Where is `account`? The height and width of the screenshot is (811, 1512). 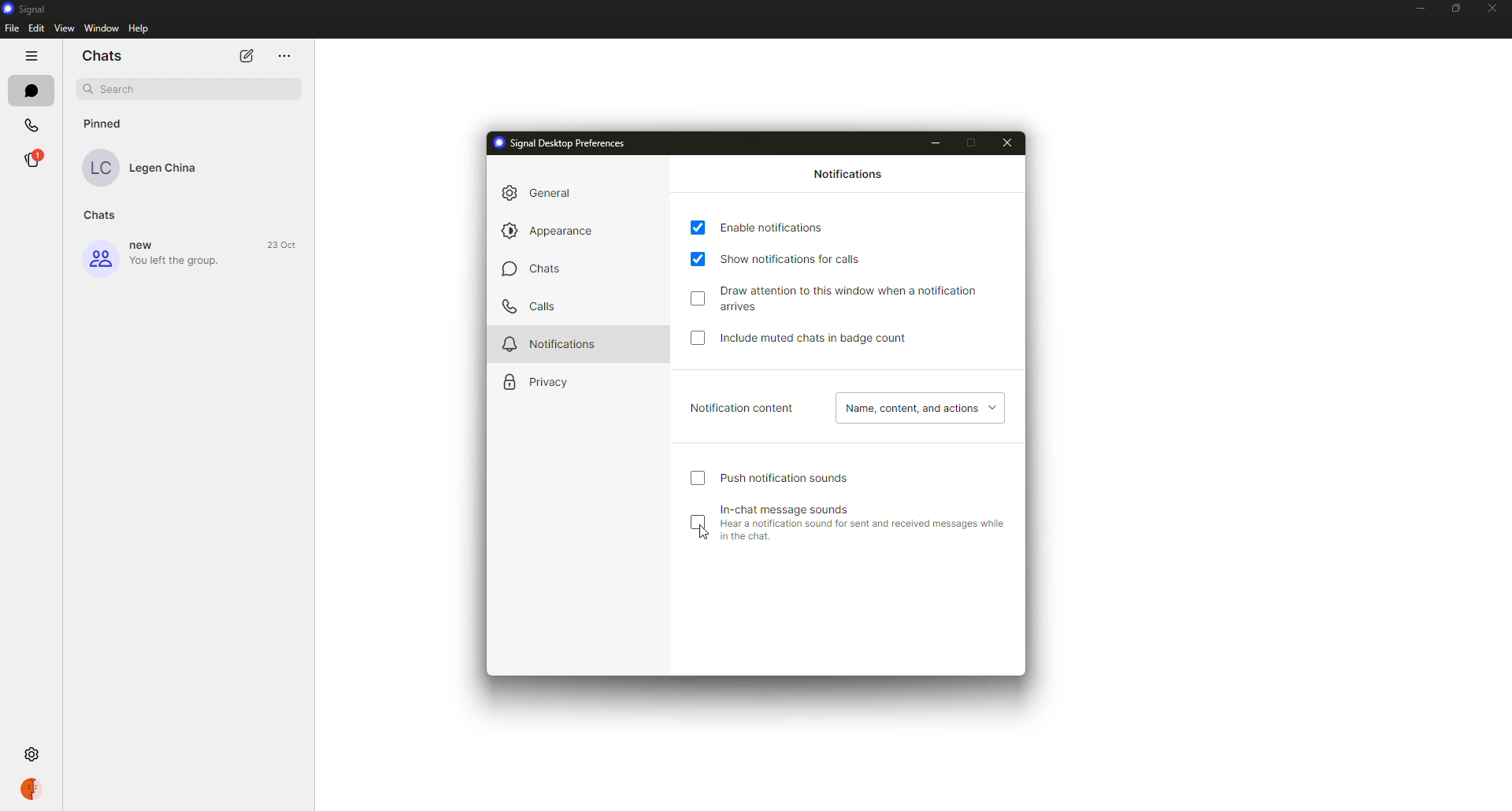 account is located at coordinates (31, 790).